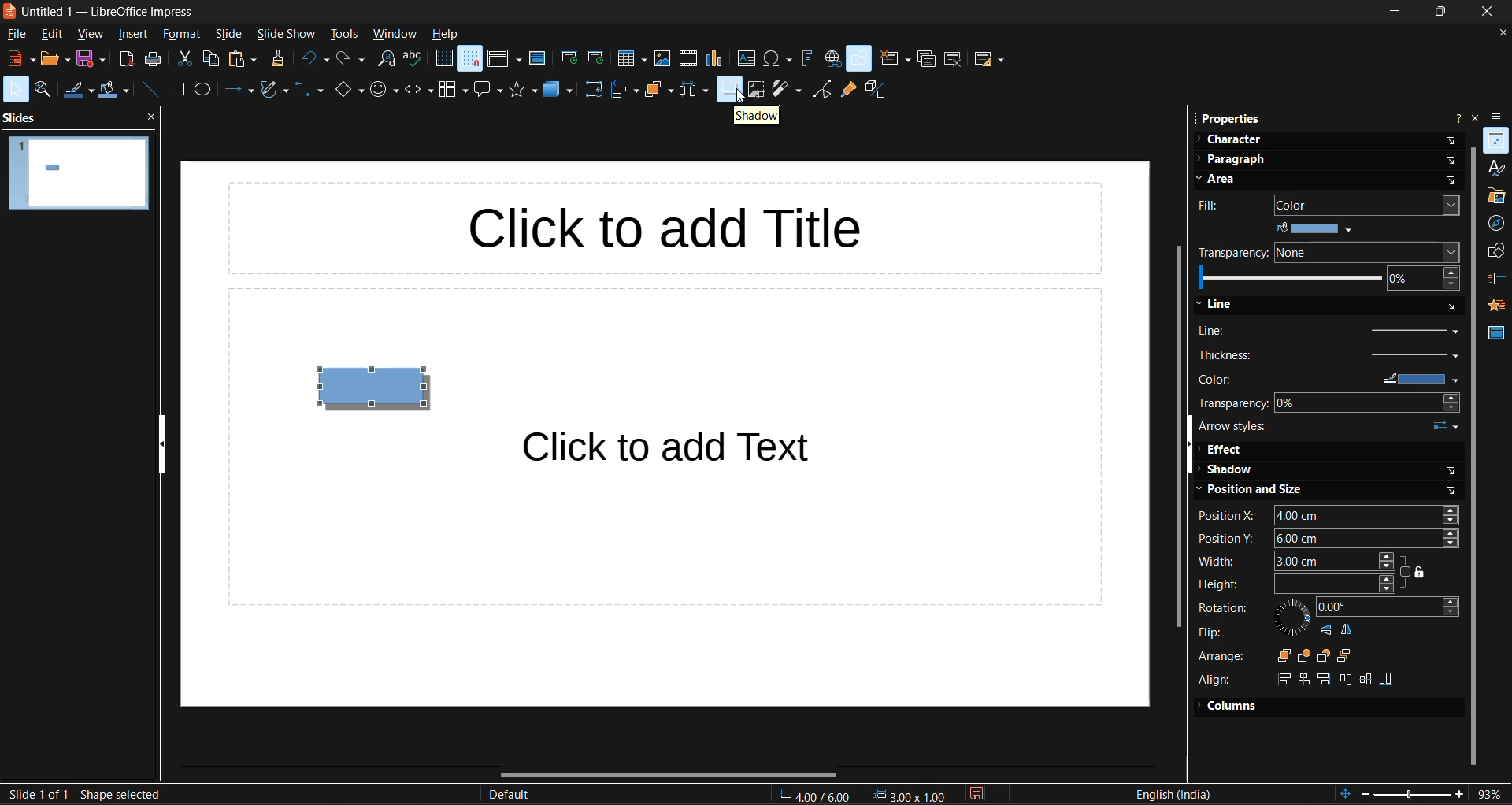  What do you see at coordinates (1449, 472) in the screenshot?
I see `more options` at bounding box center [1449, 472].